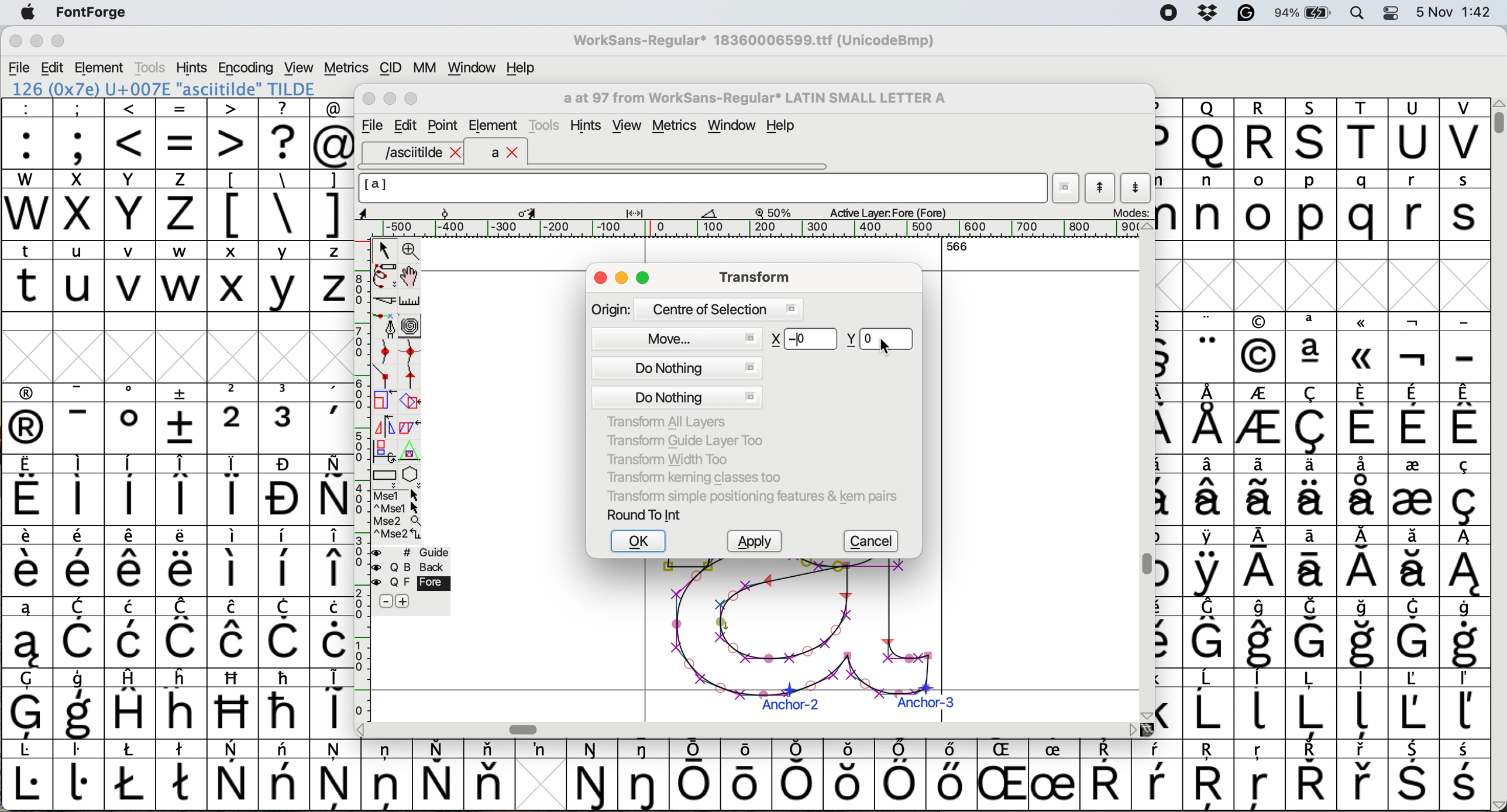 Image resolution: width=1507 pixels, height=812 pixels. Describe the element at coordinates (1006, 775) in the screenshot. I see `` at that location.